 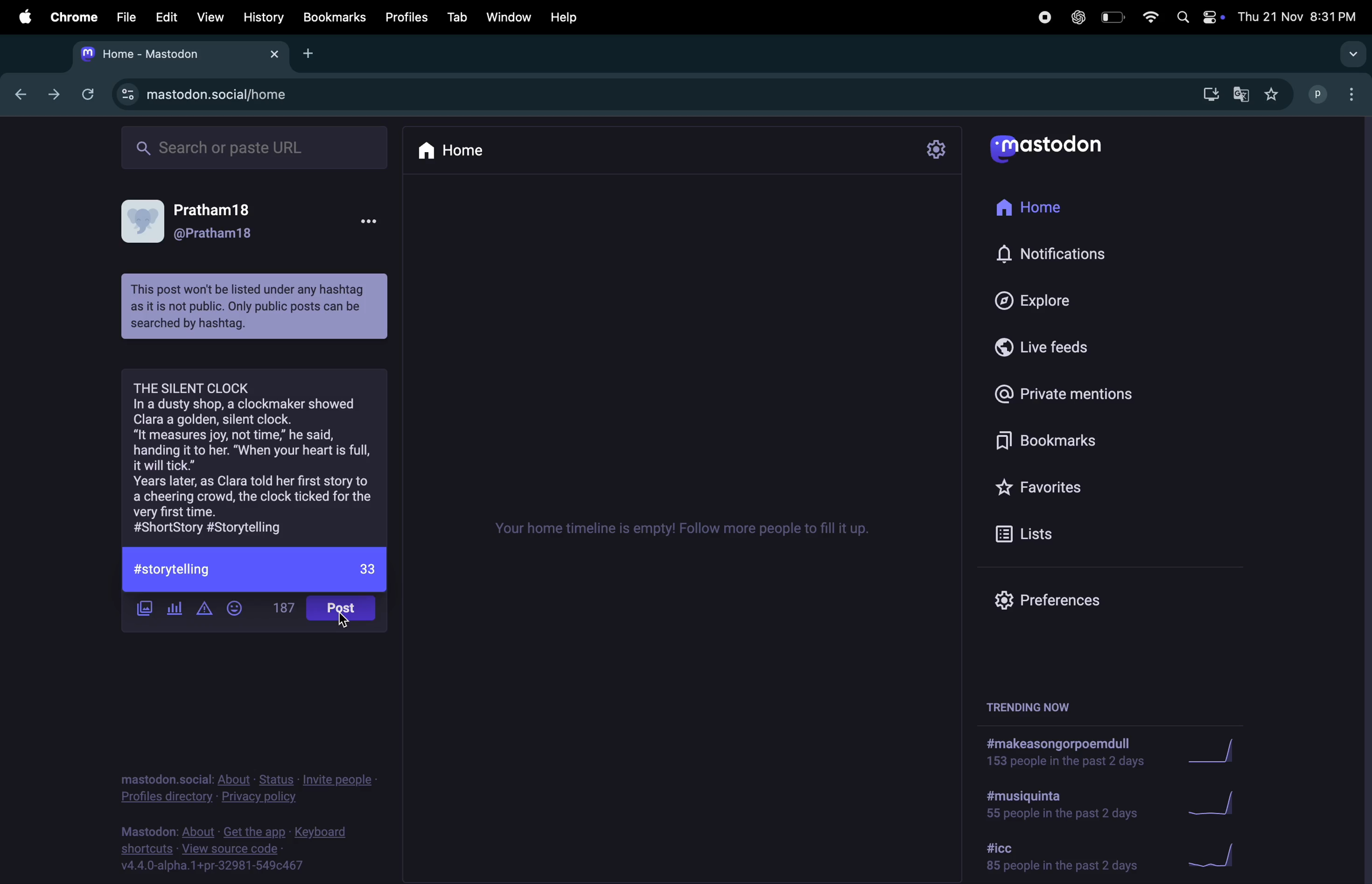 What do you see at coordinates (1055, 350) in the screenshot?
I see `live feeds` at bounding box center [1055, 350].